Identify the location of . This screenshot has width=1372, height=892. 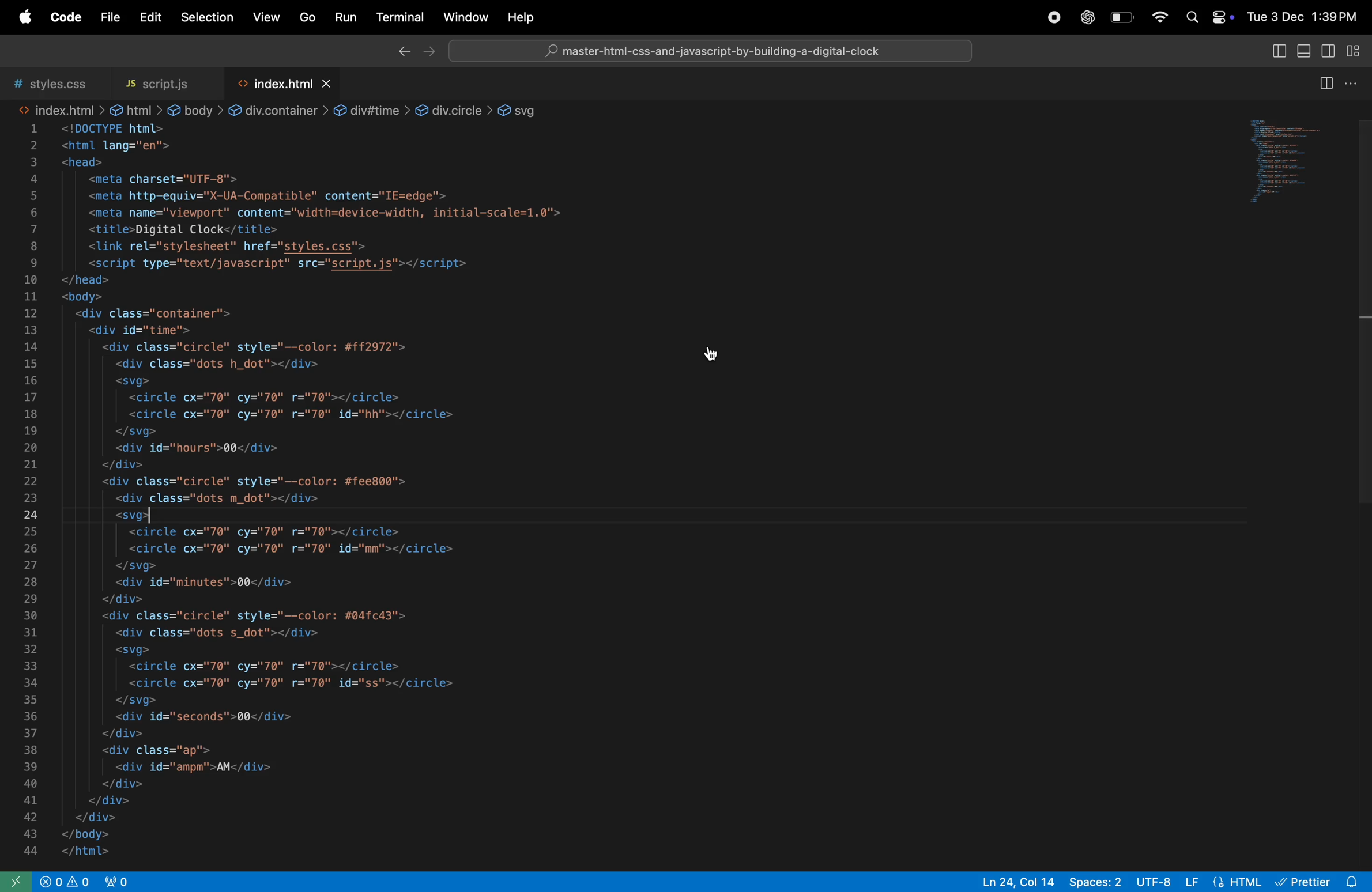
(577, 492).